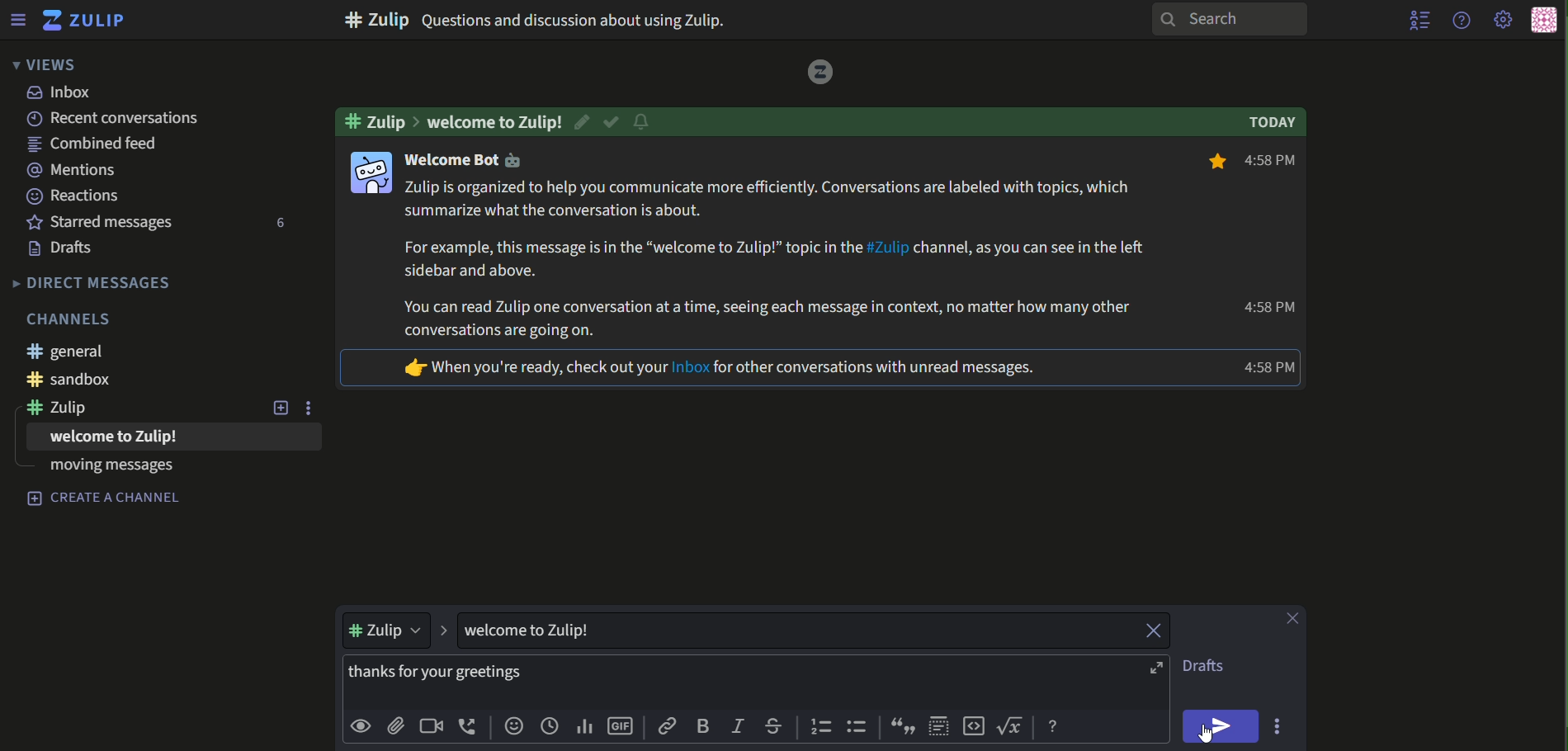  Describe the element at coordinates (93, 282) in the screenshot. I see `text` at that location.